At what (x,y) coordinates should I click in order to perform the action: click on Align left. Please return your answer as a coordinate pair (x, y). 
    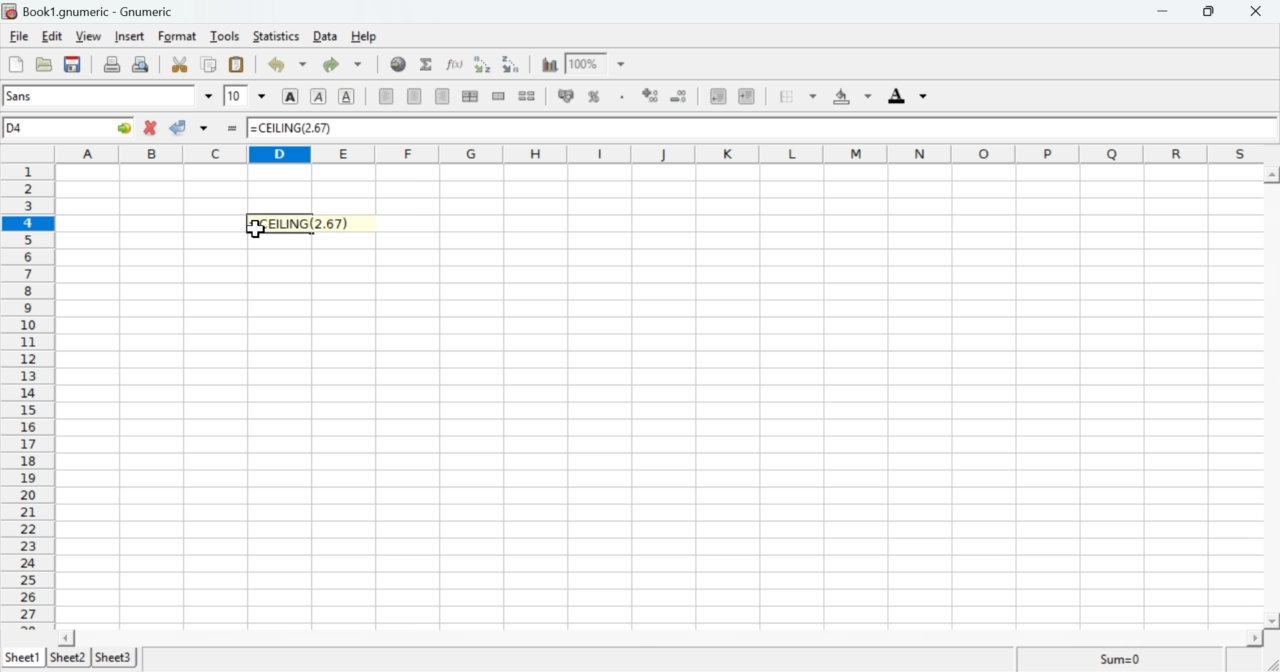
    Looking at the image, I should click on (386, 96).